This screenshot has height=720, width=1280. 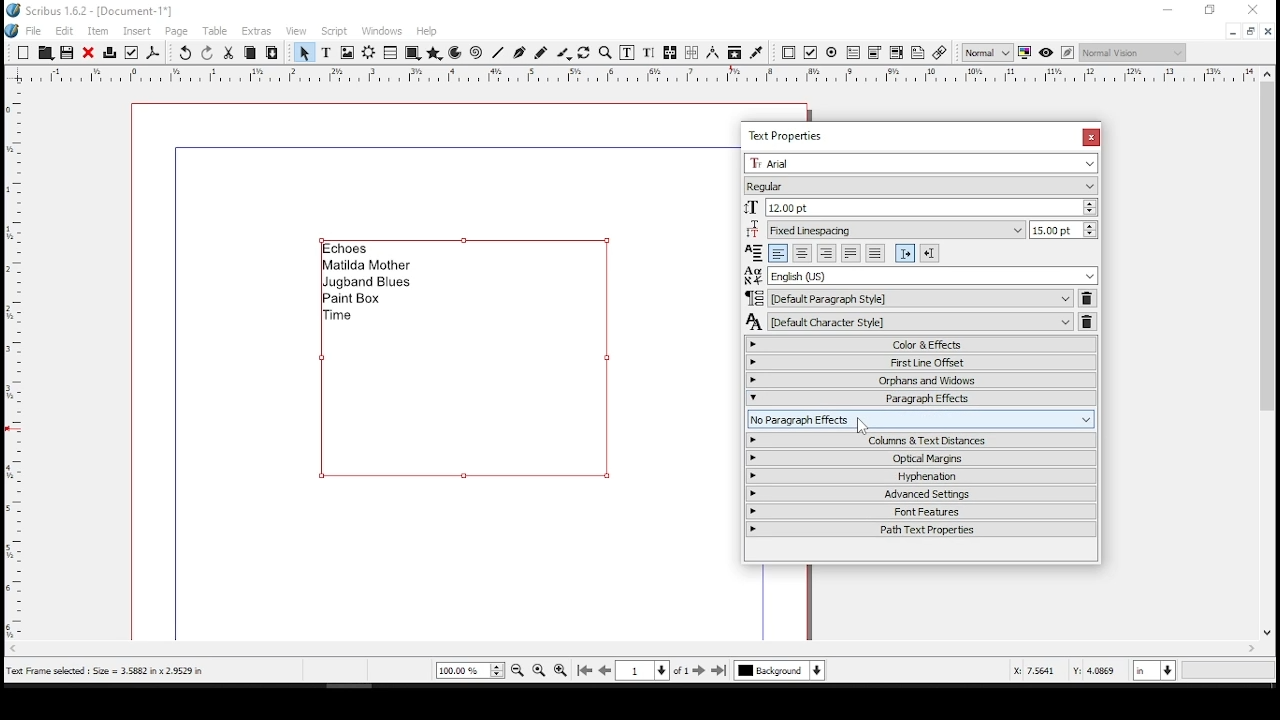 What do you see at coordinates (607, 52) in the screenshot?
I see `zoom in or out` at bounding box center [607, 52].